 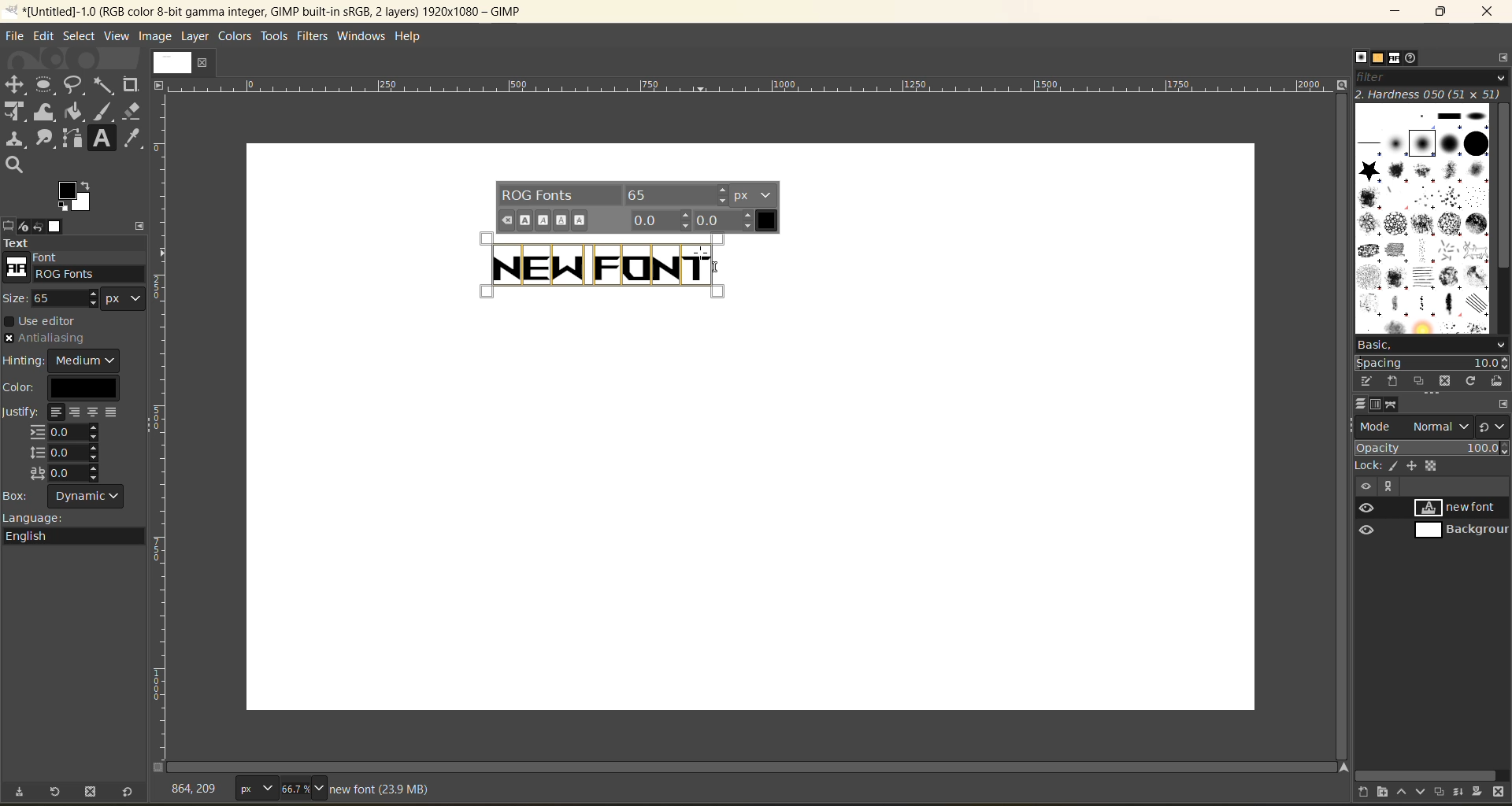 What do you see at coordinates (1361, 57) in the screenshot?
I see `brushes` at bounding box center [1361, 57].